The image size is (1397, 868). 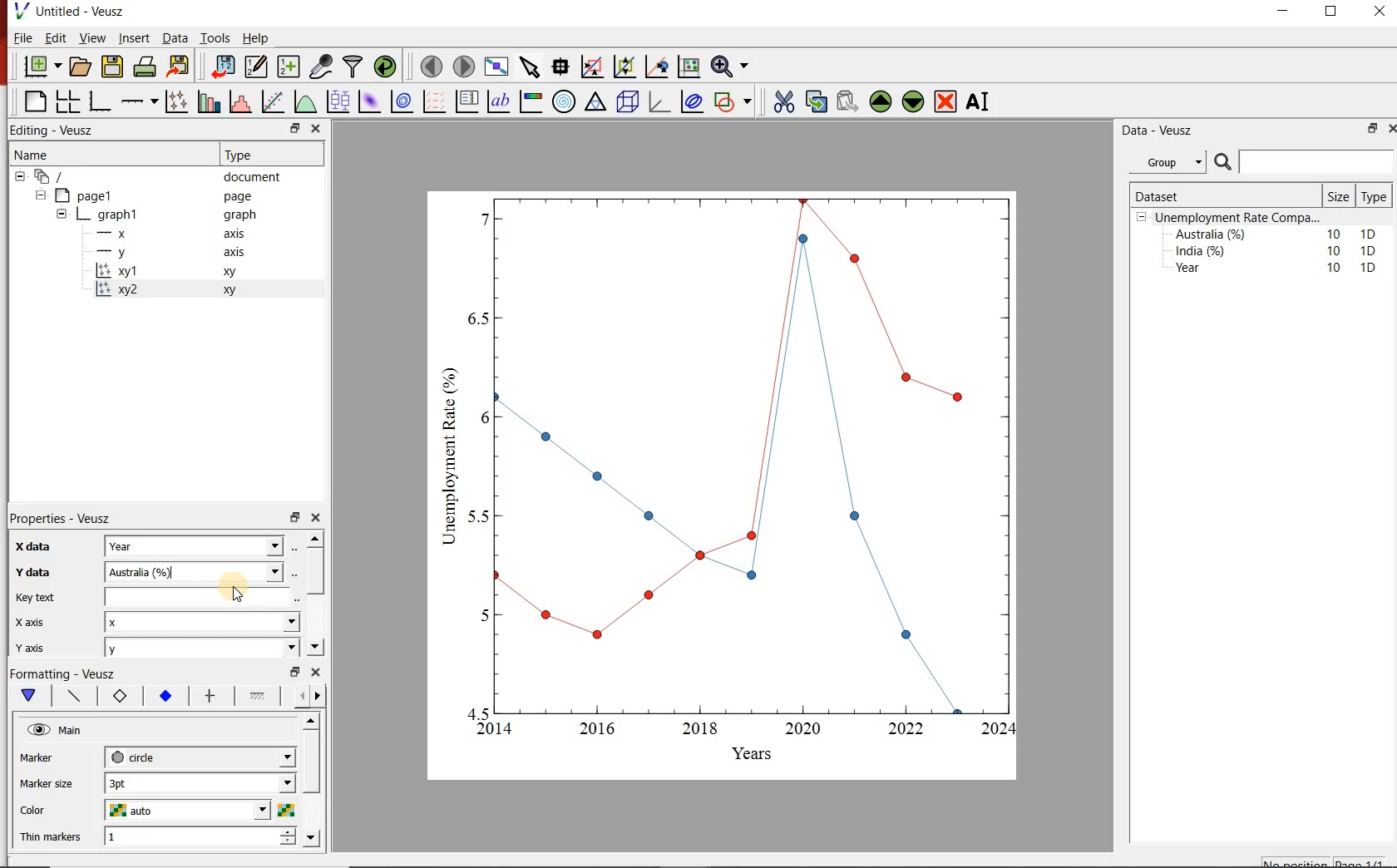 What do you see at coordinates (195, 271) in the screenshot?
I see `xy 1 xy` at bounding box center [195, 271].